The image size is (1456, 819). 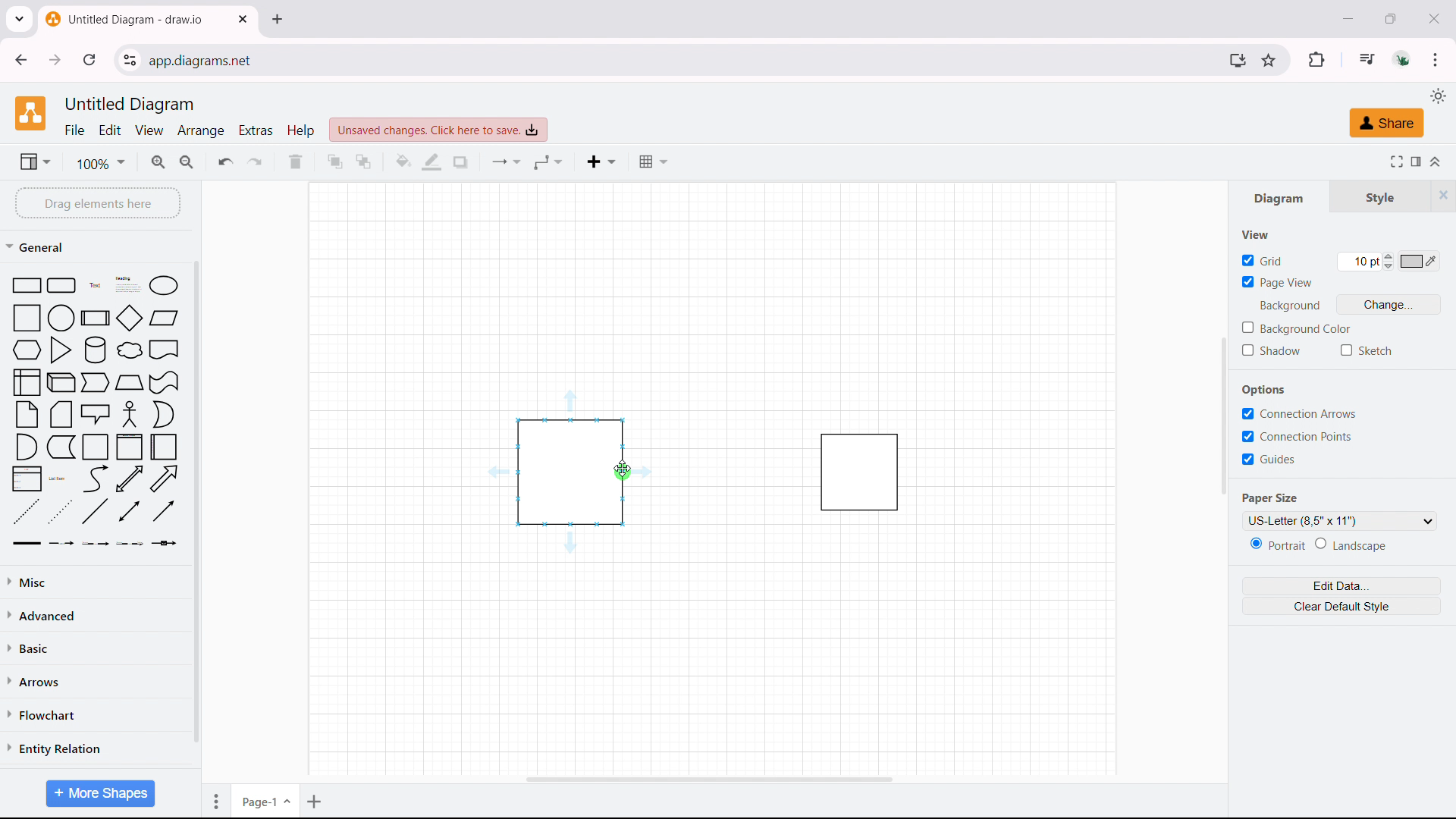 I want to click on sketch, so click(x=1368, y=350).